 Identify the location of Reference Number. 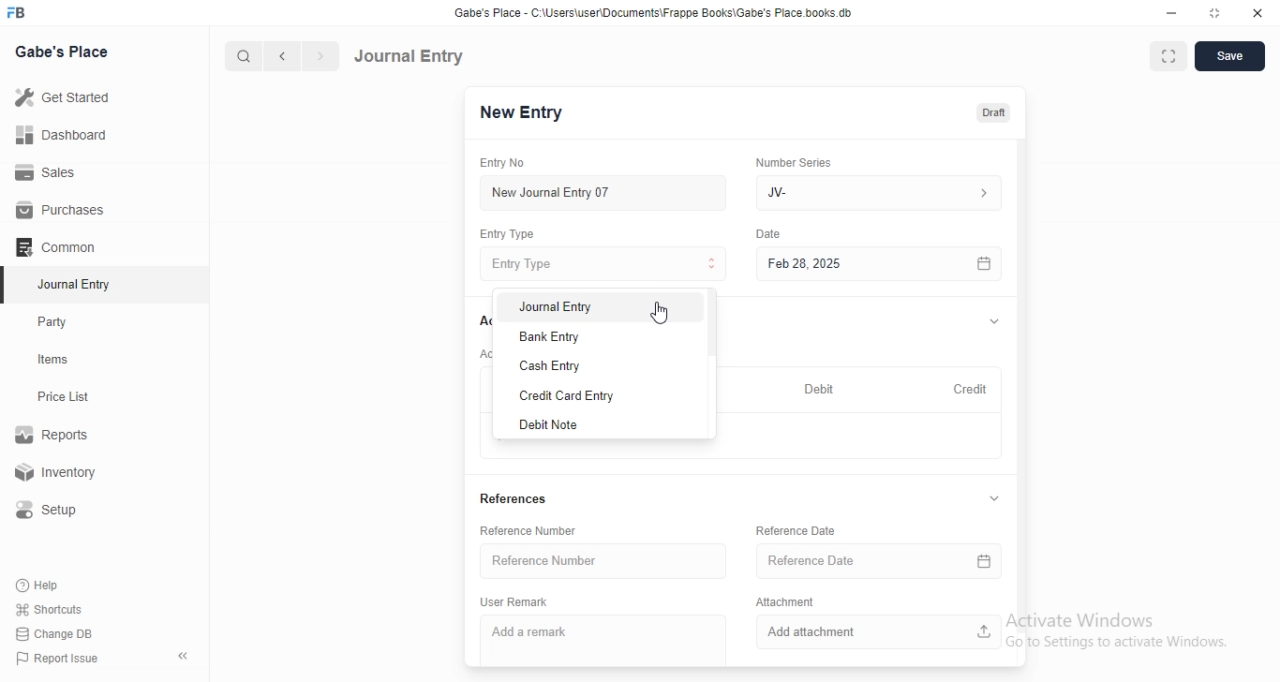
(602, 559).